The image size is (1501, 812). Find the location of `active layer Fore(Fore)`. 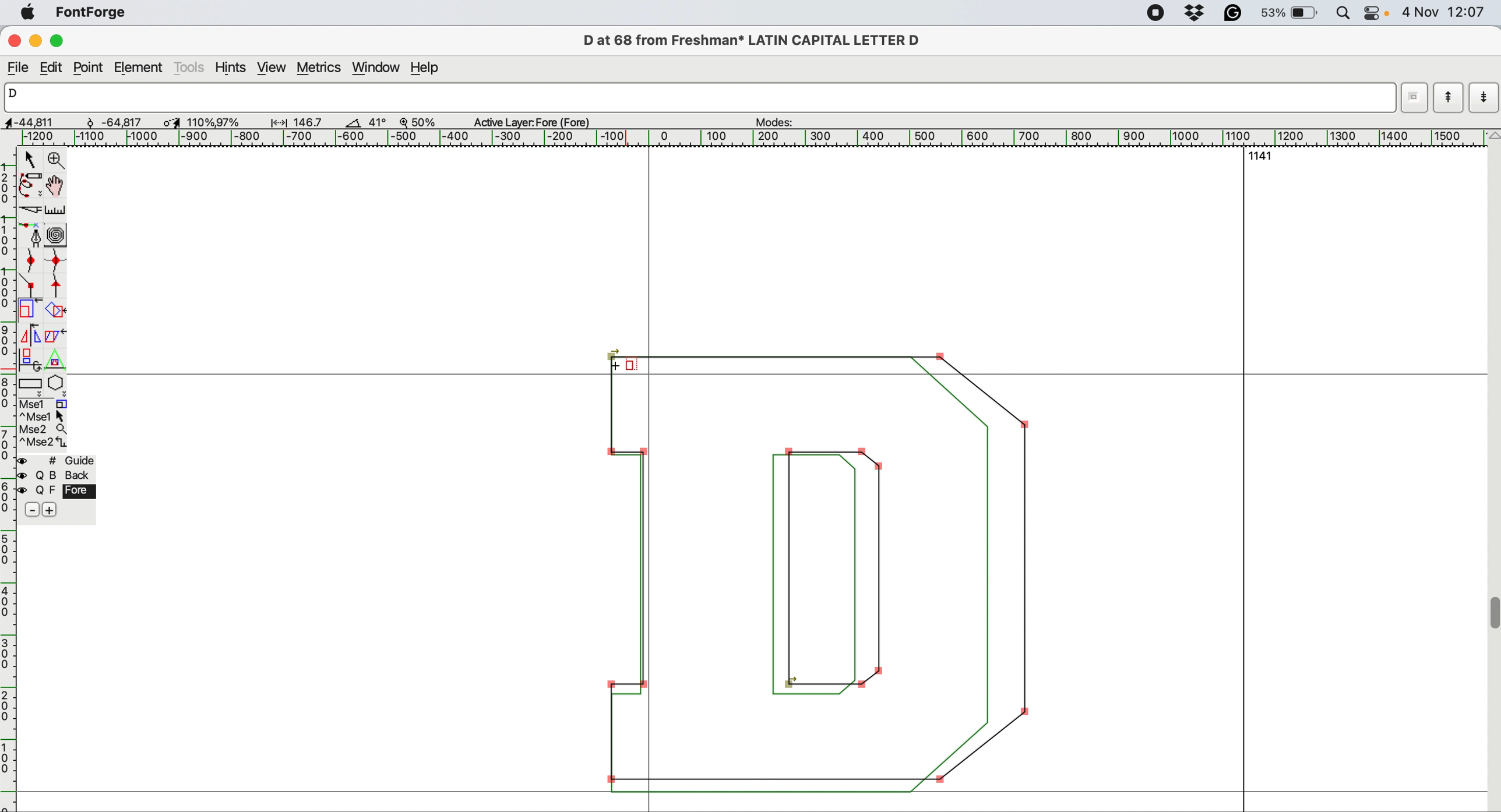

active layer Fore(Fore) is located at coordinates (537, 123).